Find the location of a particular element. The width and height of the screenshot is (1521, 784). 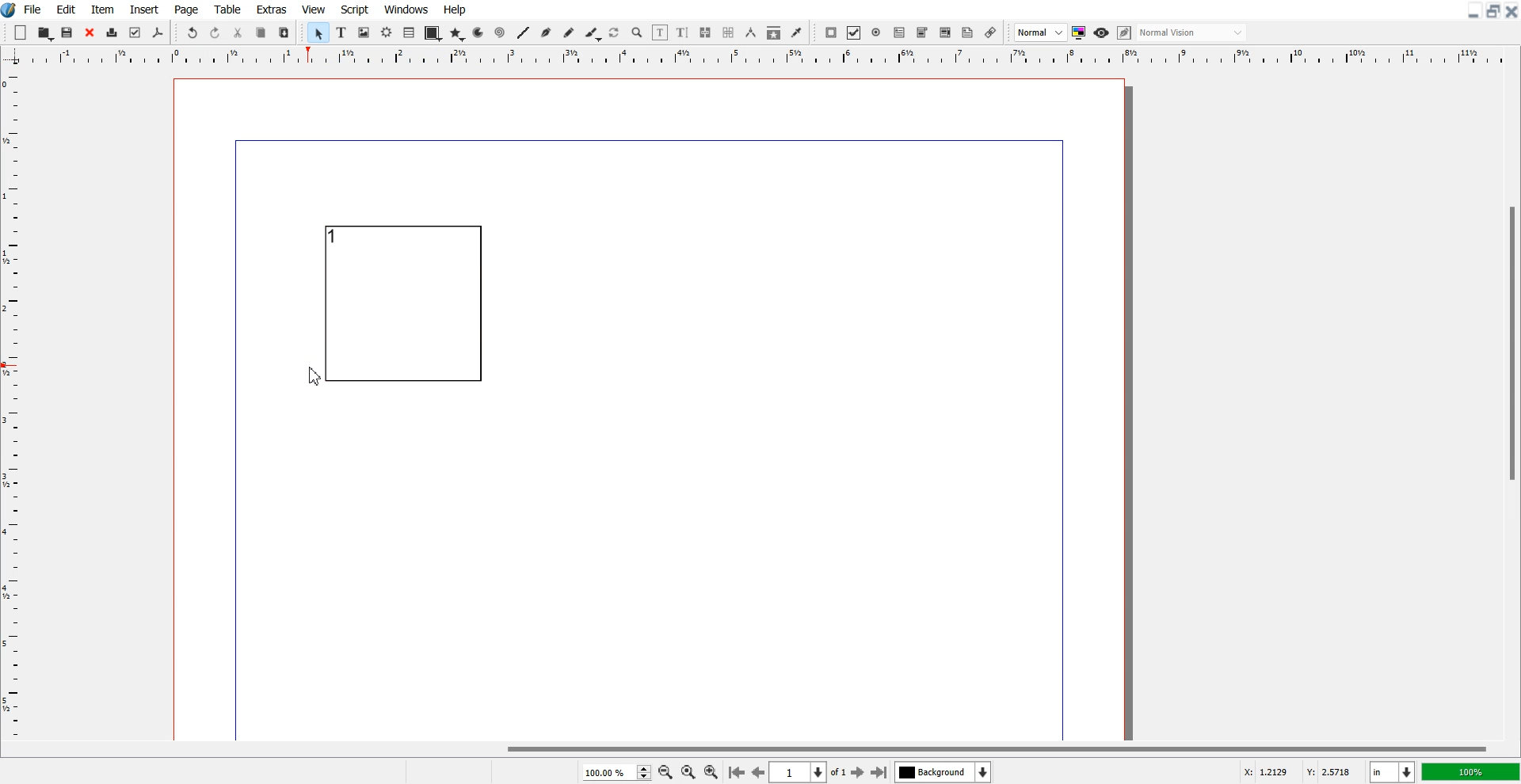

Eye dropper is located at coordinates (796, 32).